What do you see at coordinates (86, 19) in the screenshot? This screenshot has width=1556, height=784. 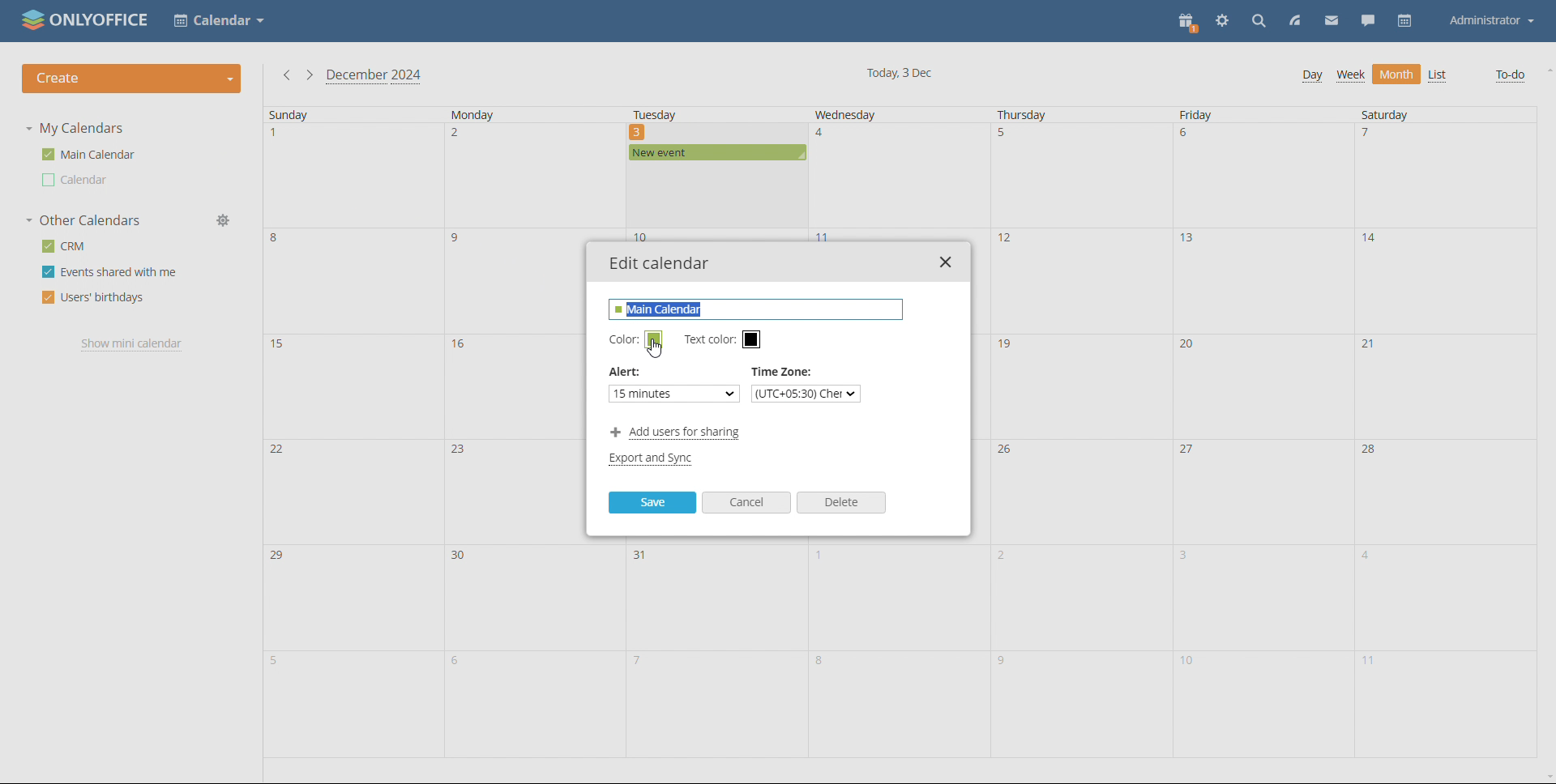 I see `logo` at bounding box center [86, 19].